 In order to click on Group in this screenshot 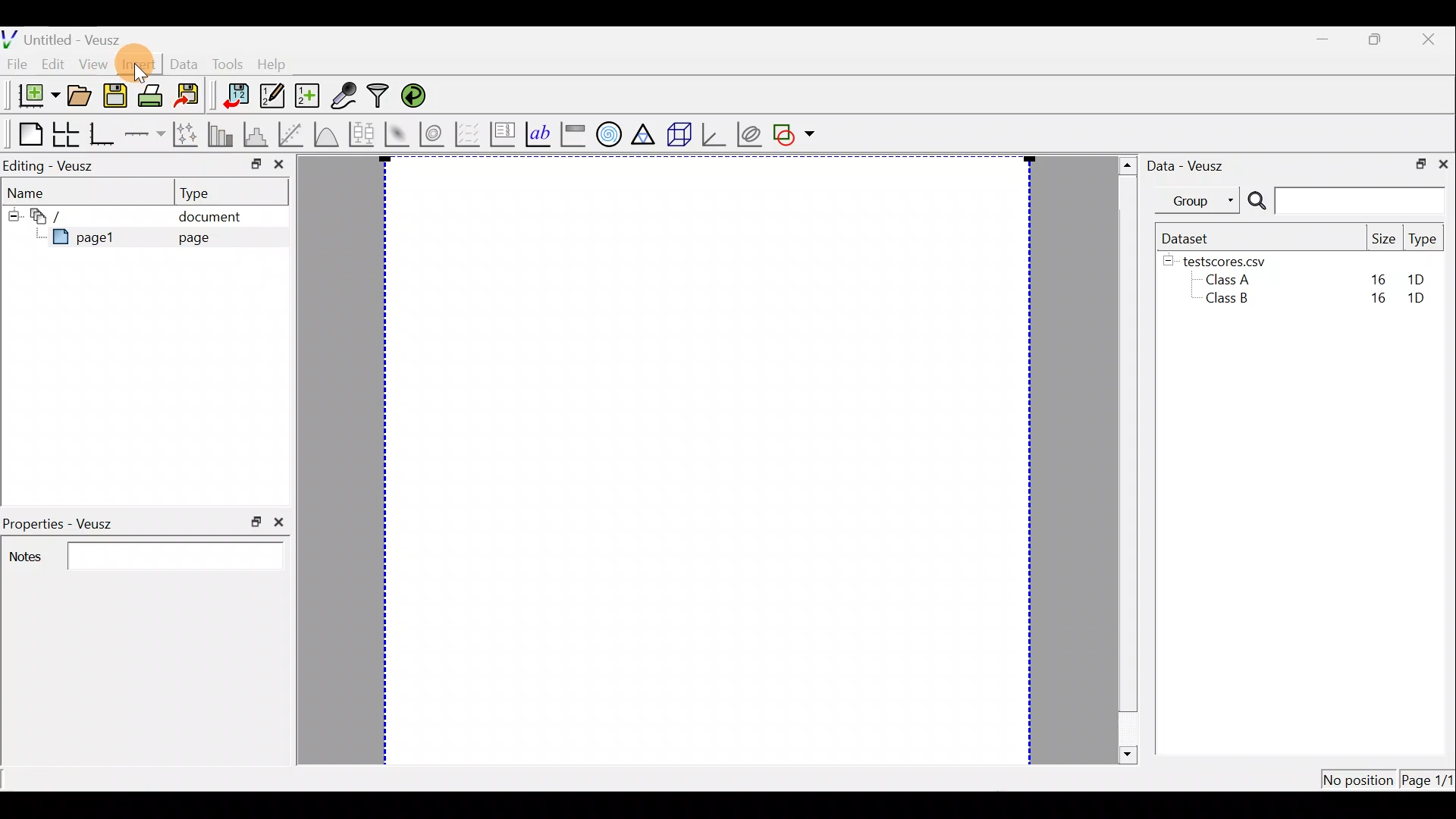, I will do `click(1200, 200)`.